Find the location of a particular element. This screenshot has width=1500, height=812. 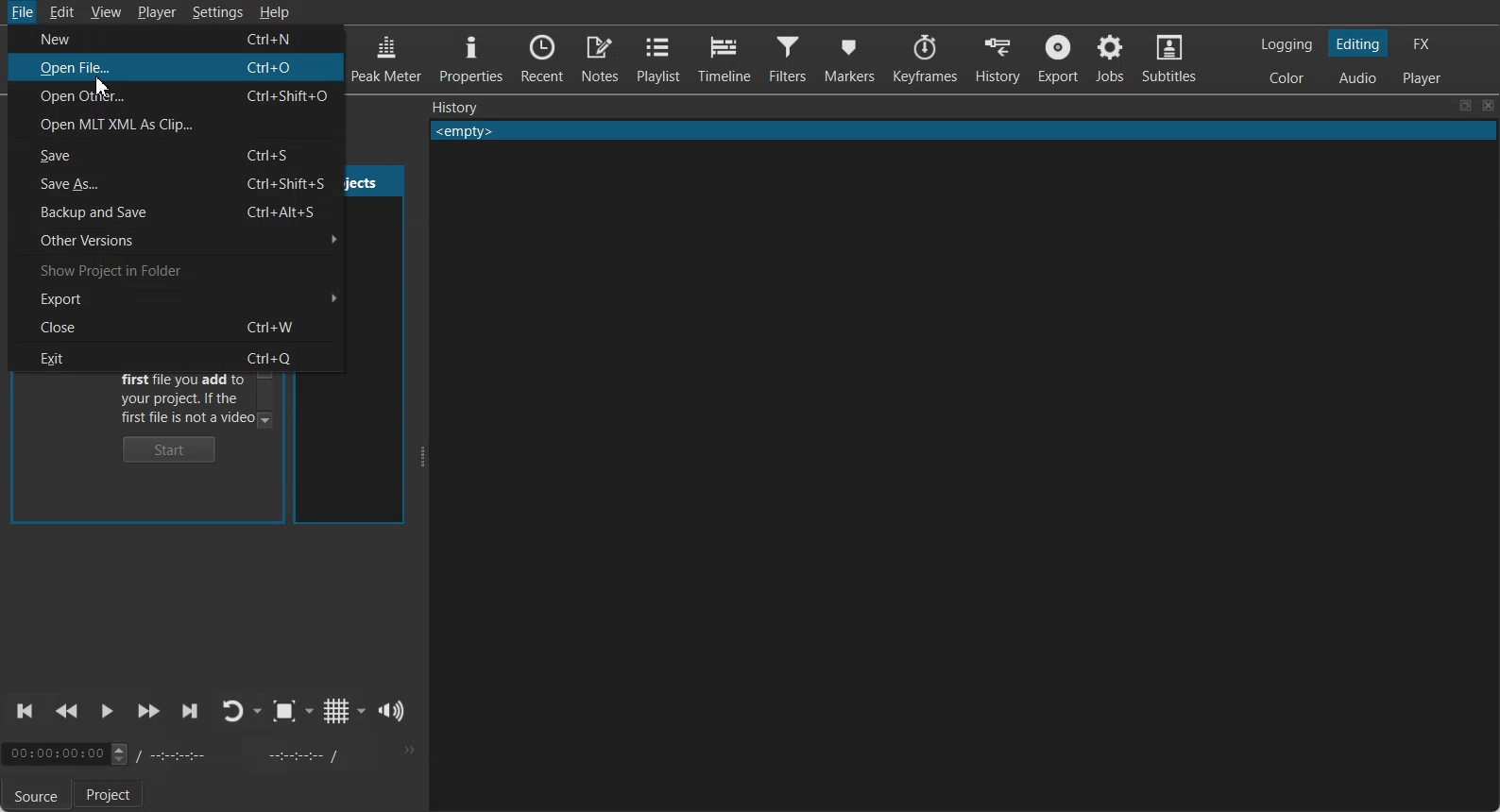

scroll down is located at coordinates (267, 419).